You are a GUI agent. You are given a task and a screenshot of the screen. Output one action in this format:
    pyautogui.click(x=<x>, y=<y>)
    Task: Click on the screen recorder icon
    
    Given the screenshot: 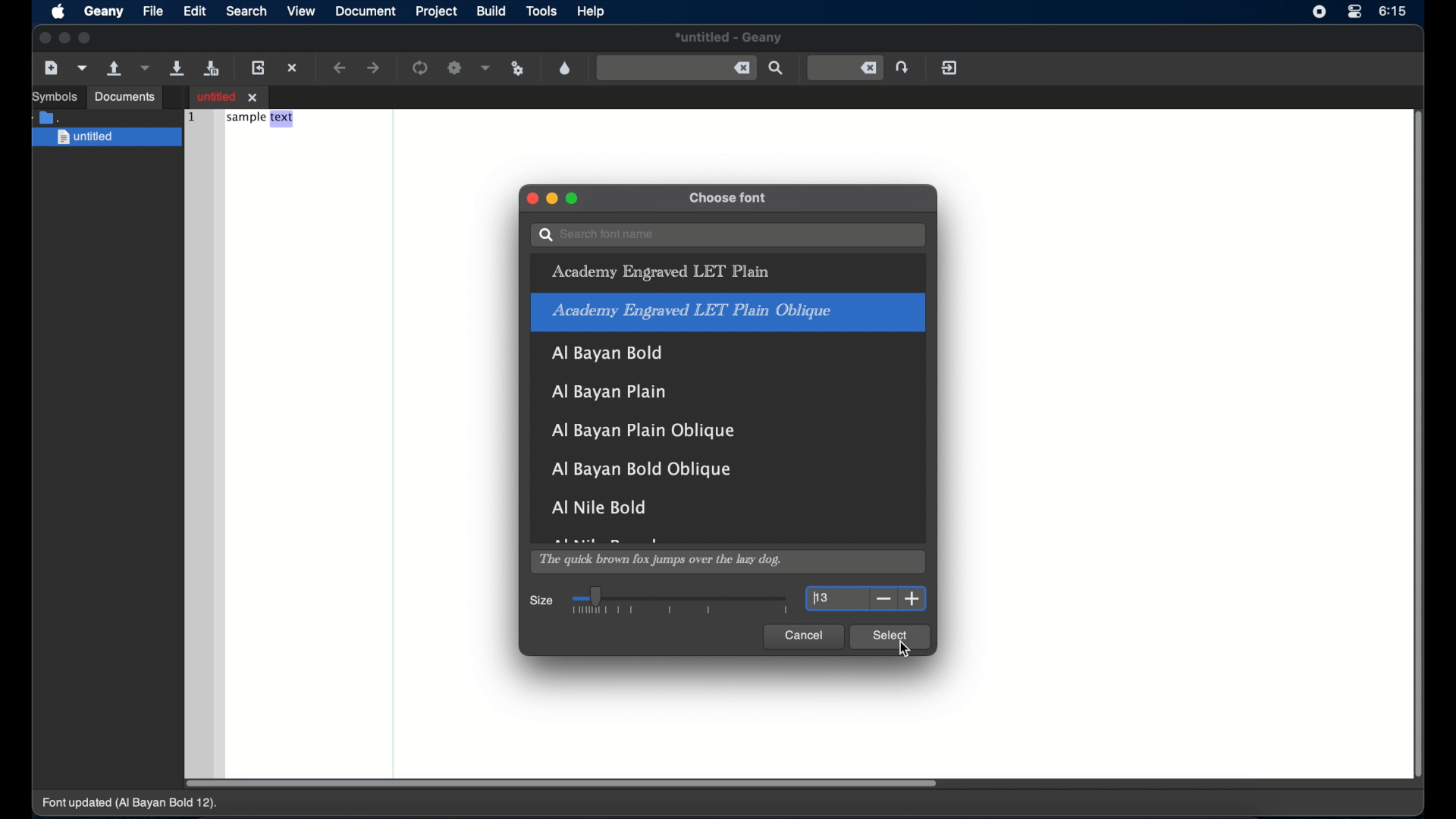 What is the action you would take?
    pyautogui.click(x=1319, y=13)
    